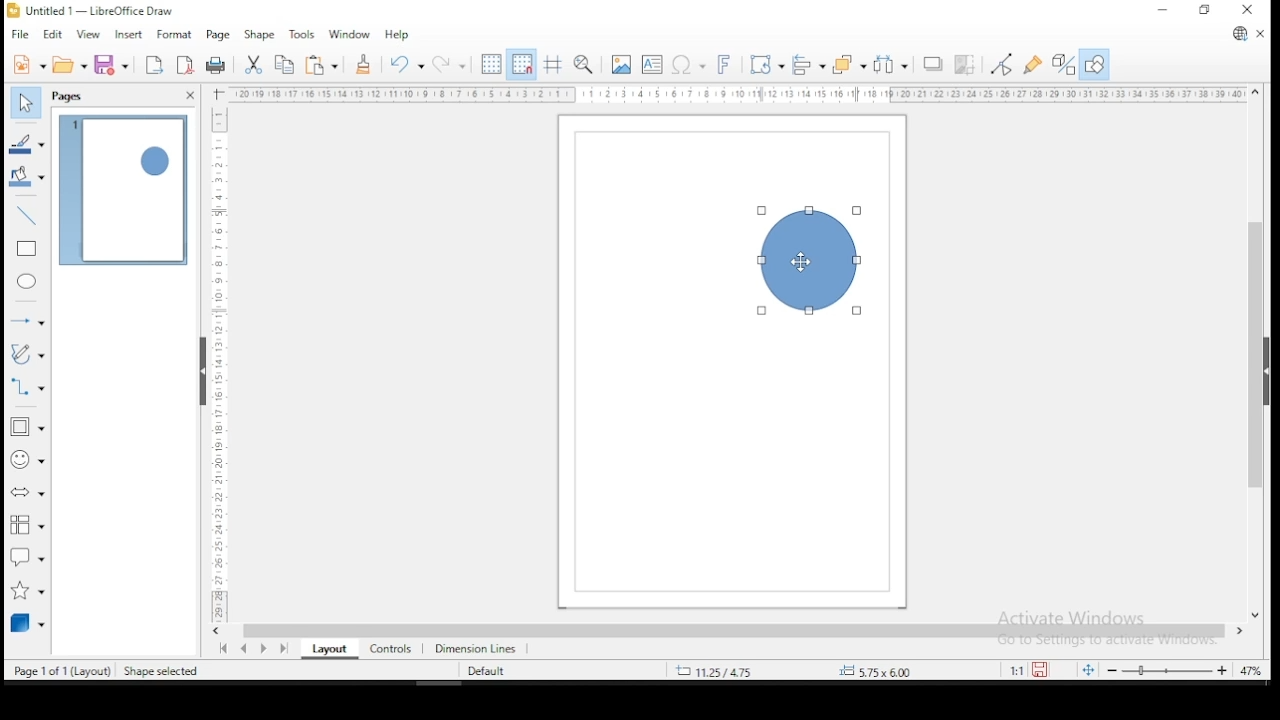 The image size is (1280, 720). Describe the element at coordinates (25, 385) in the screenshot. I see `connectors` at that location.